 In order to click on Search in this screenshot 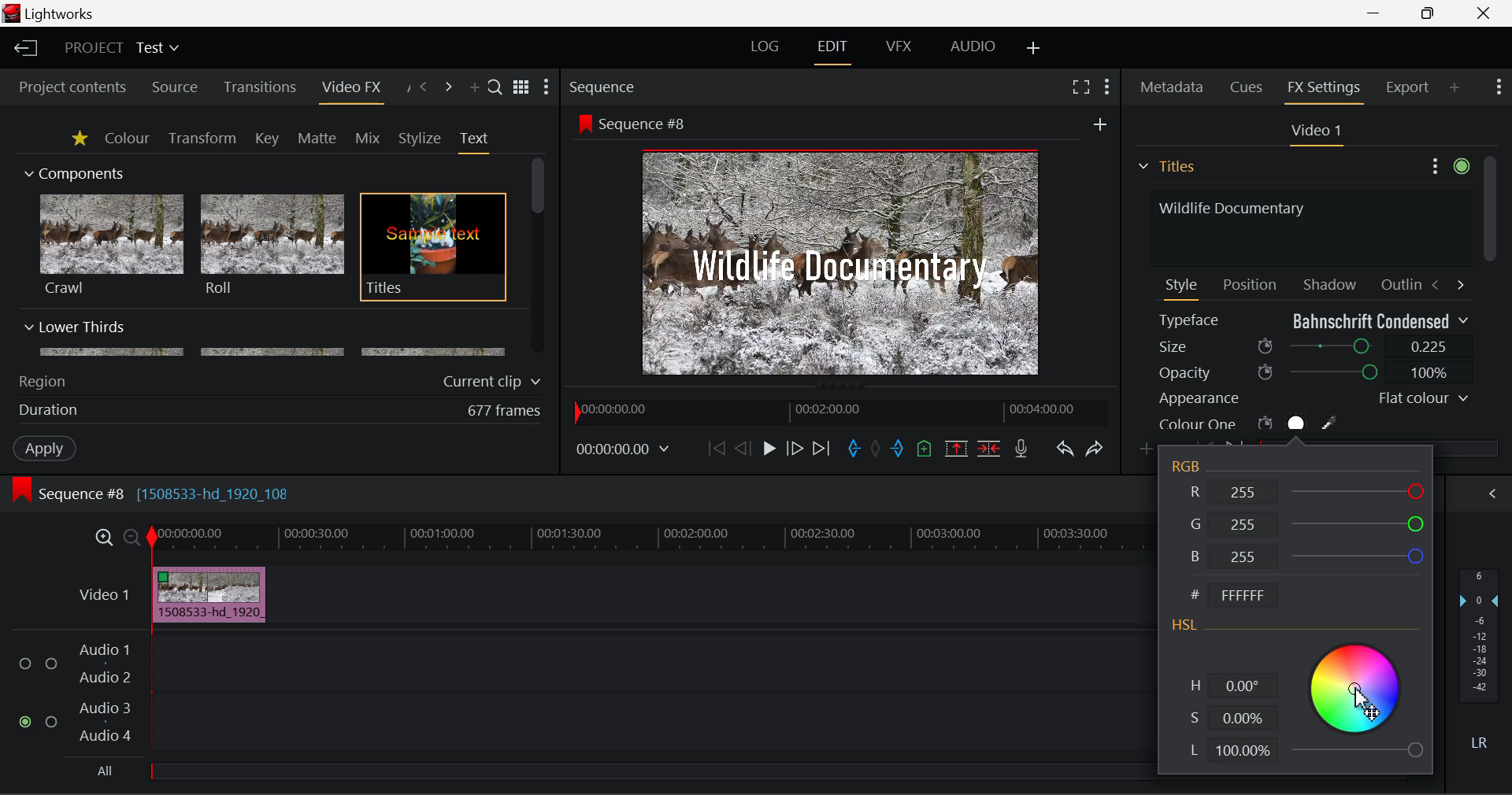, I will do `click(496, 86)`.